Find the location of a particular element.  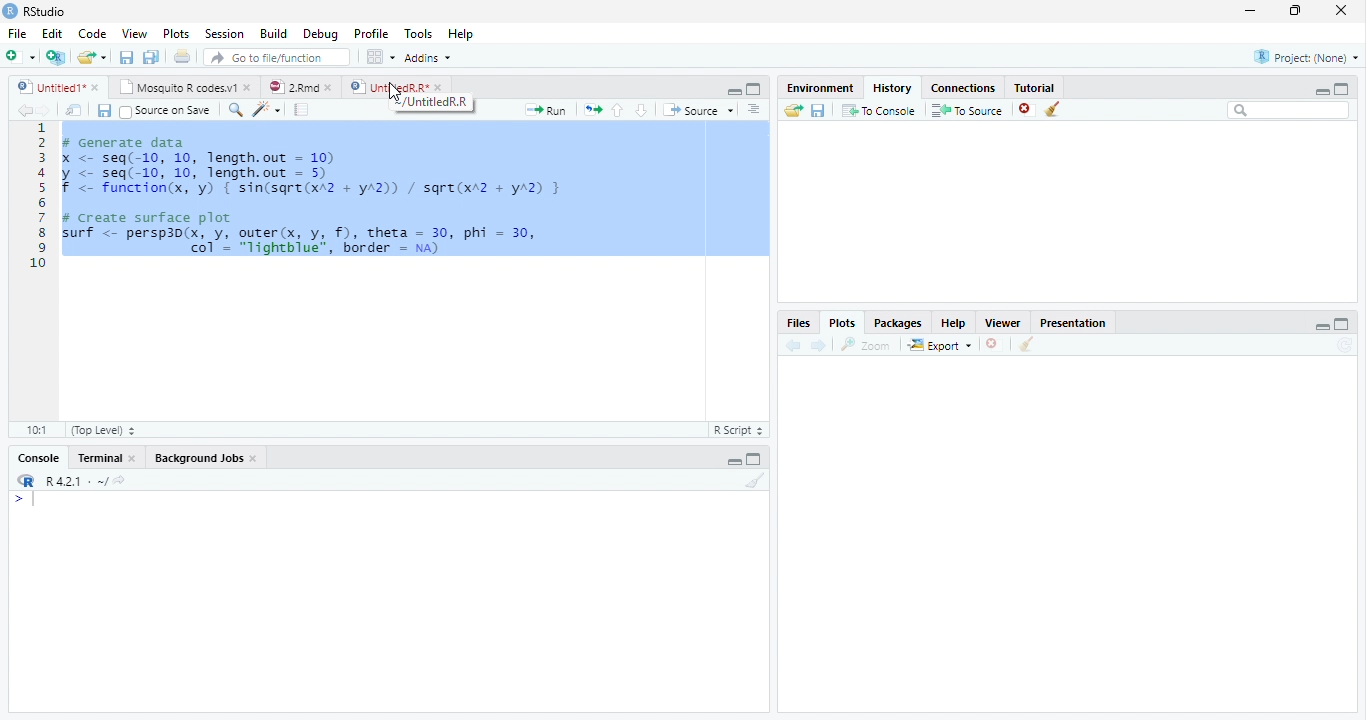

View the current working directory is located at coordinates (120, 478).